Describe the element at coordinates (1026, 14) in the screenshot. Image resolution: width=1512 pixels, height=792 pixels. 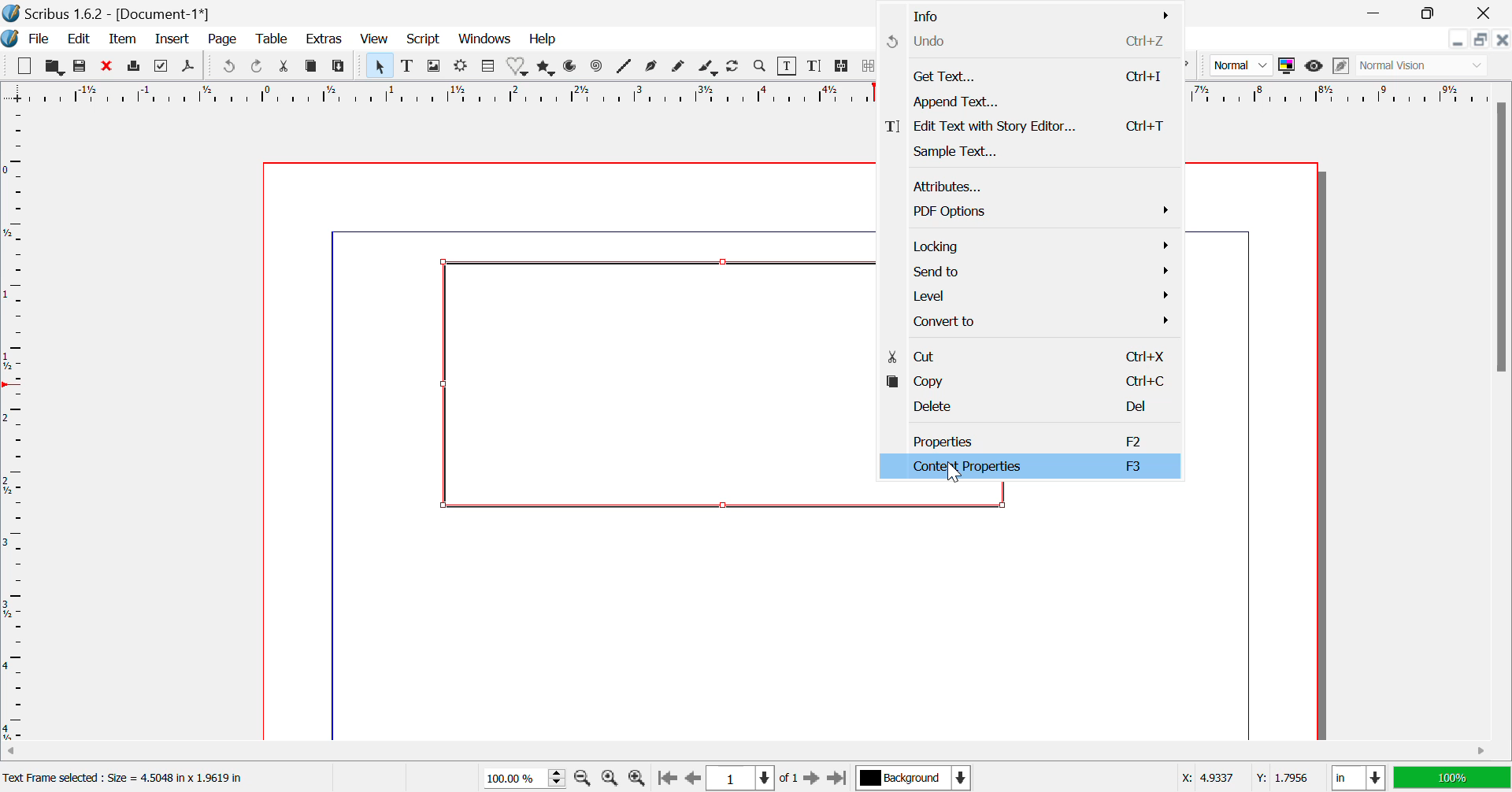
I see `Info` at that location.